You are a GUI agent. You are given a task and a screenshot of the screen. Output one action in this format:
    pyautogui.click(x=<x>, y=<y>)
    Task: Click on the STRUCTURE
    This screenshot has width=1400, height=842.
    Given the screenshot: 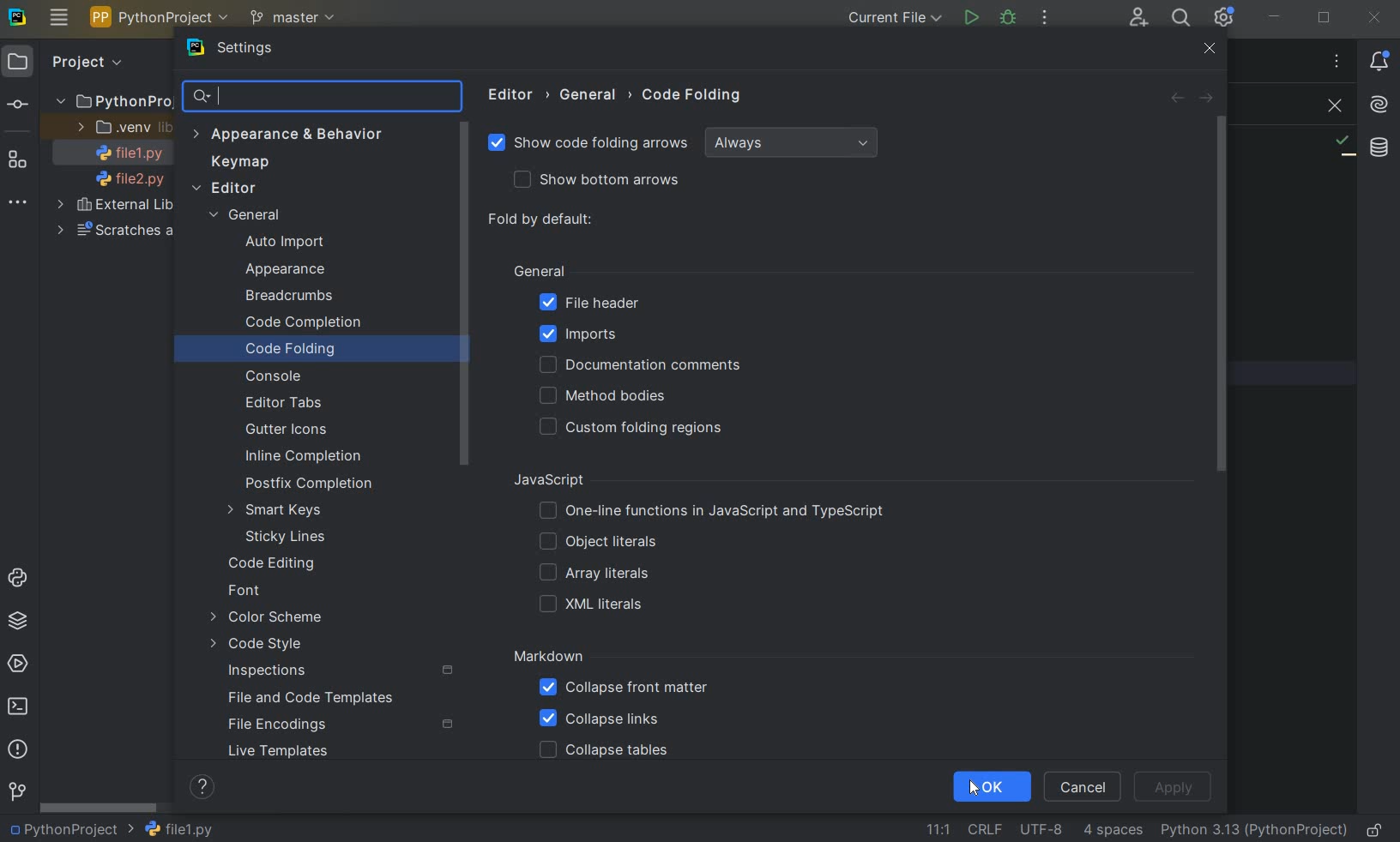 What is the action you would take?
    pyautogui.click(x=19, y=161)
    